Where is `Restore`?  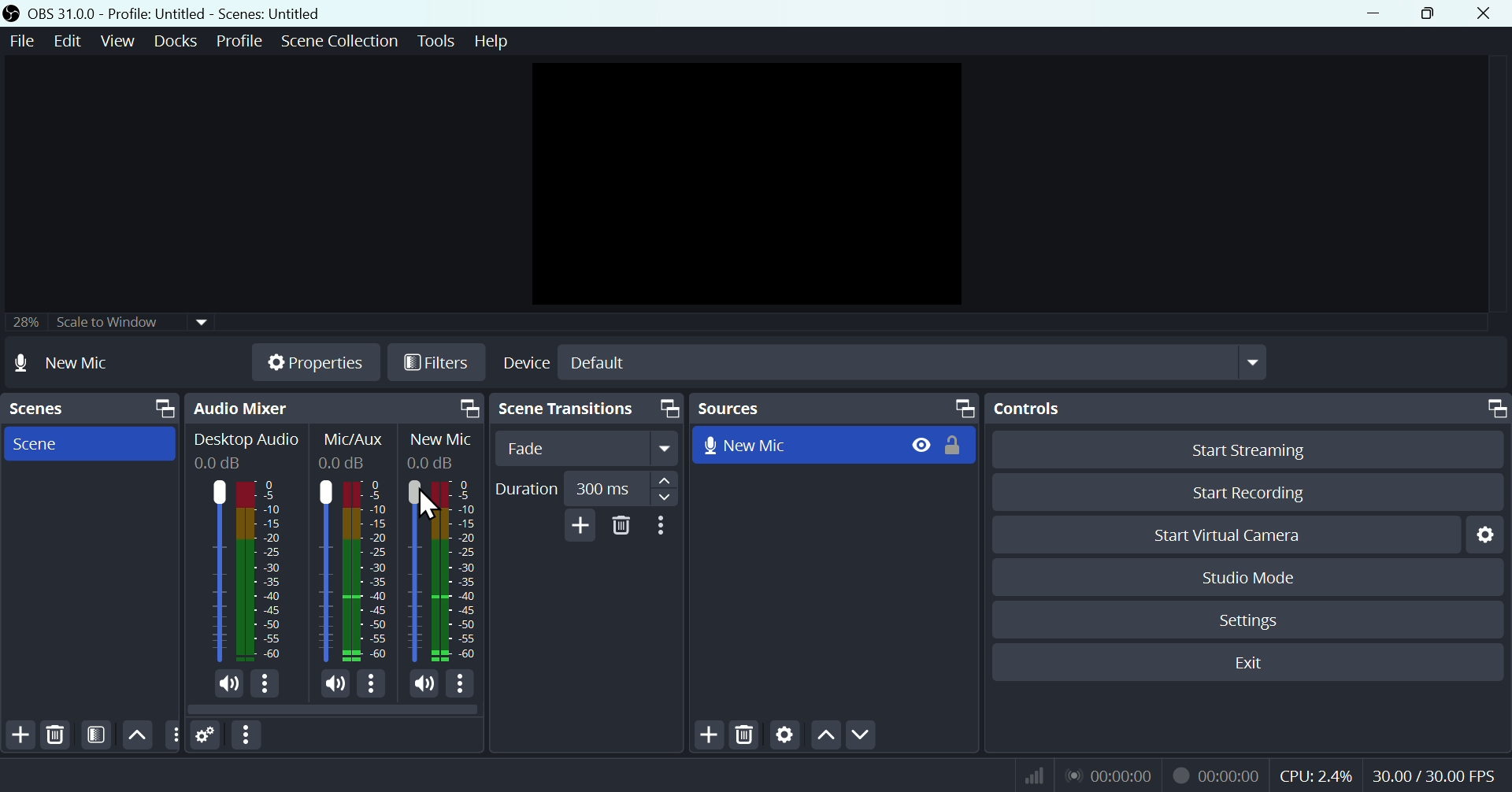 Restore is located at coordinates (1432, 13).